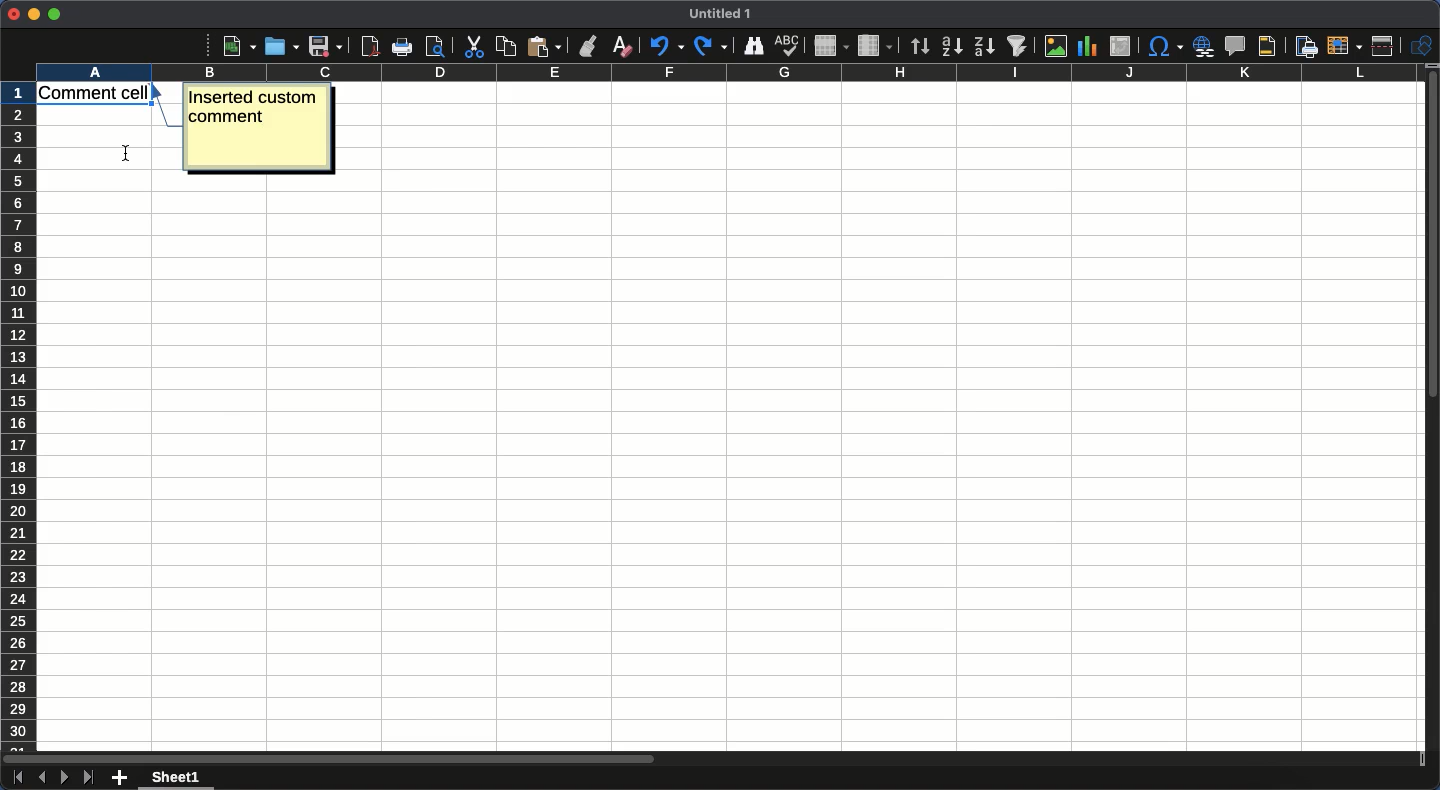 This screenshot has width=1440, height=790. Describe the element at coordinates (982, 45) in the screenshot. I see `Descending` at that location.